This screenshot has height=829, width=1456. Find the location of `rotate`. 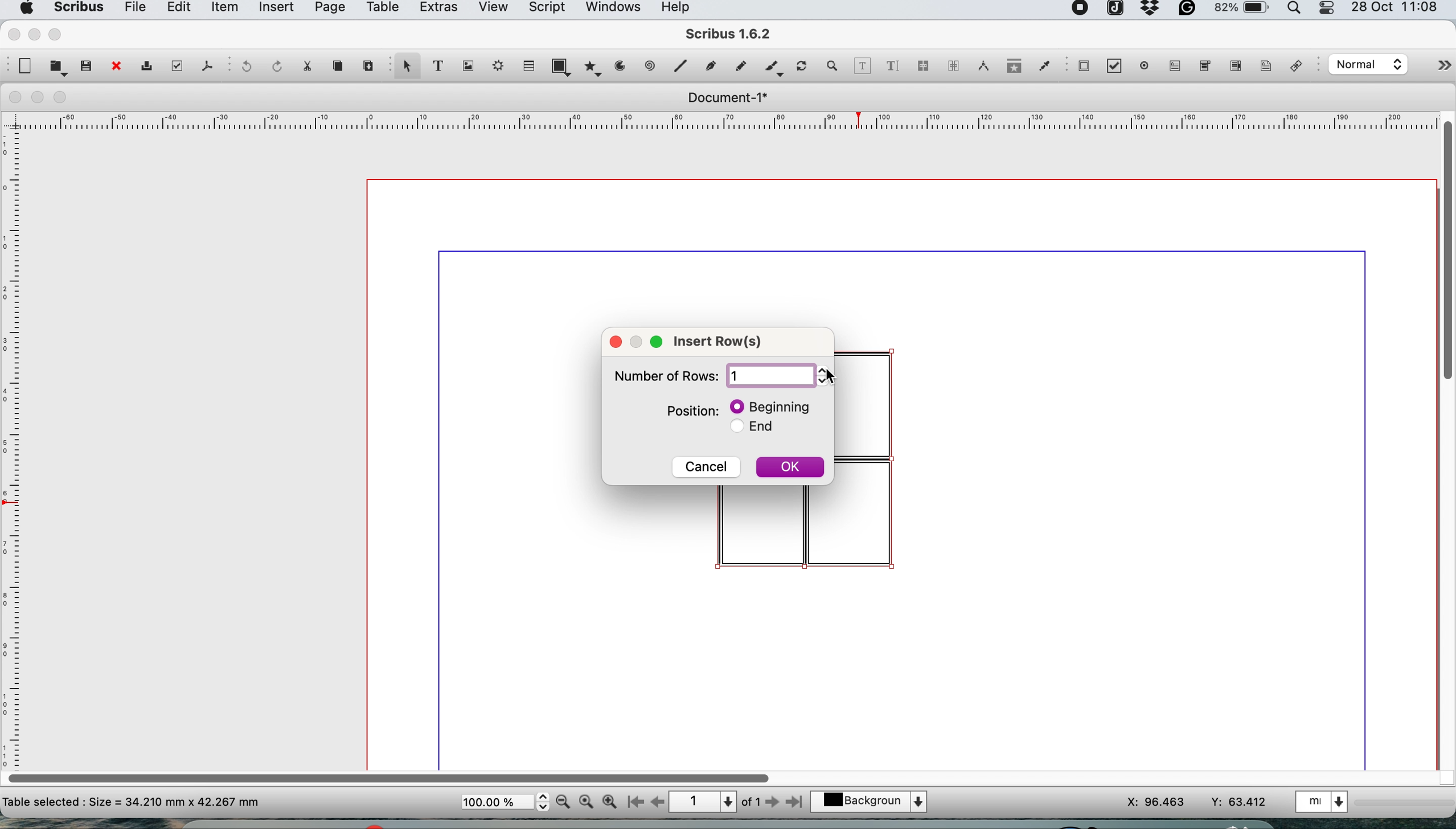

rotate is located at coordinates (803, 67).